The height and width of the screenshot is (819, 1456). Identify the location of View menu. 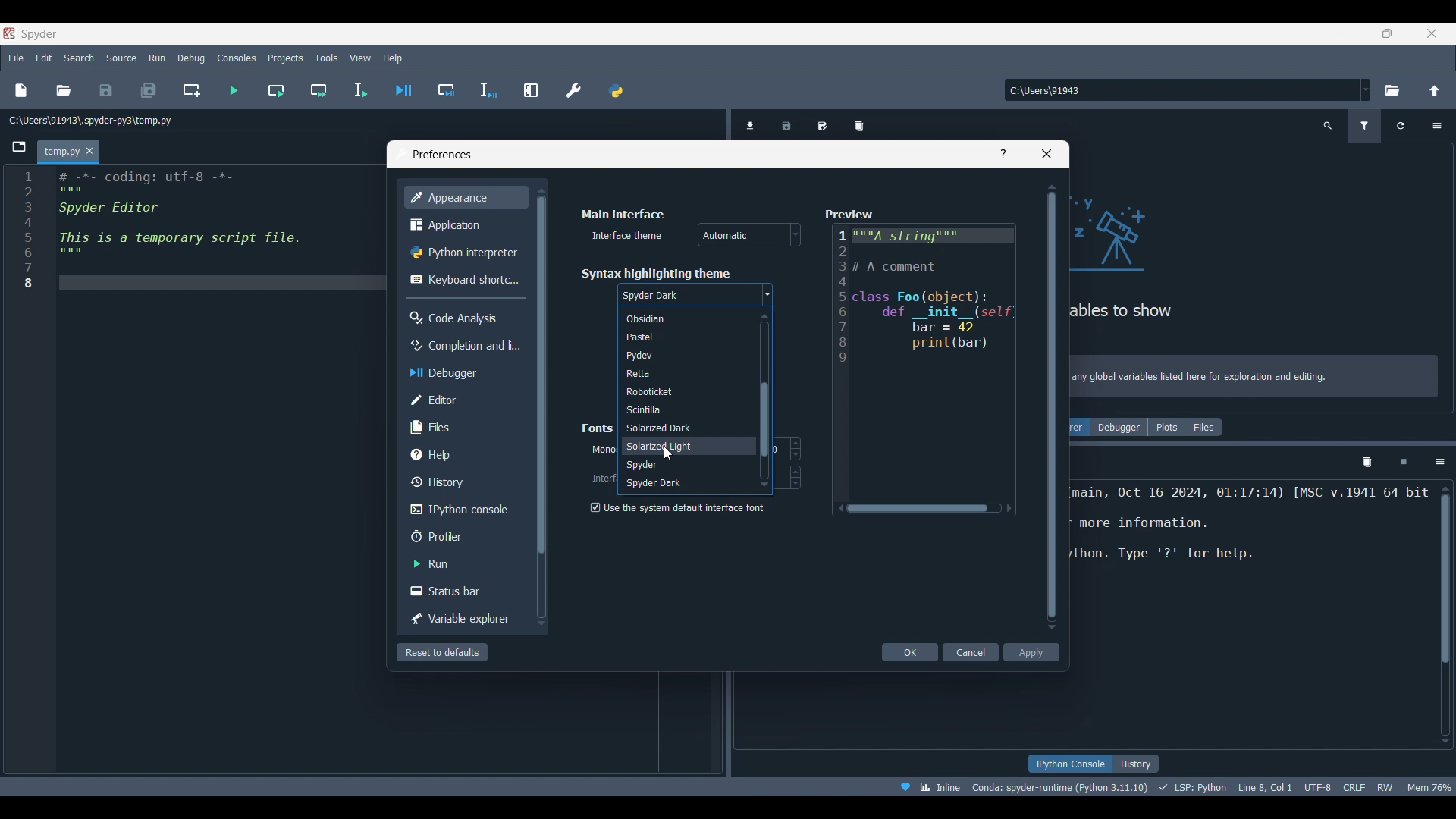
(360, 58).